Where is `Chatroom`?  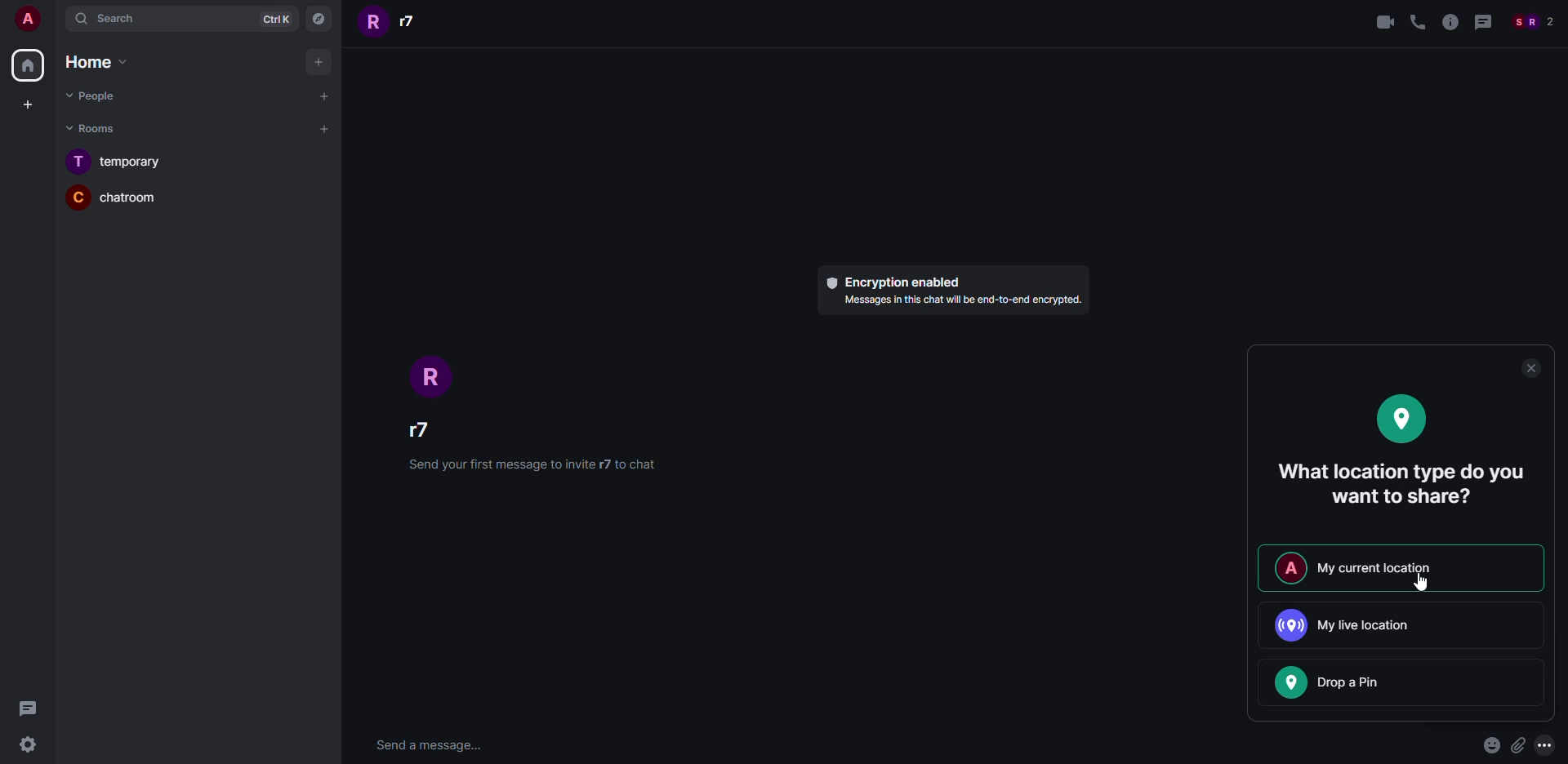 Chatroom is located at coordinates (114, 196).